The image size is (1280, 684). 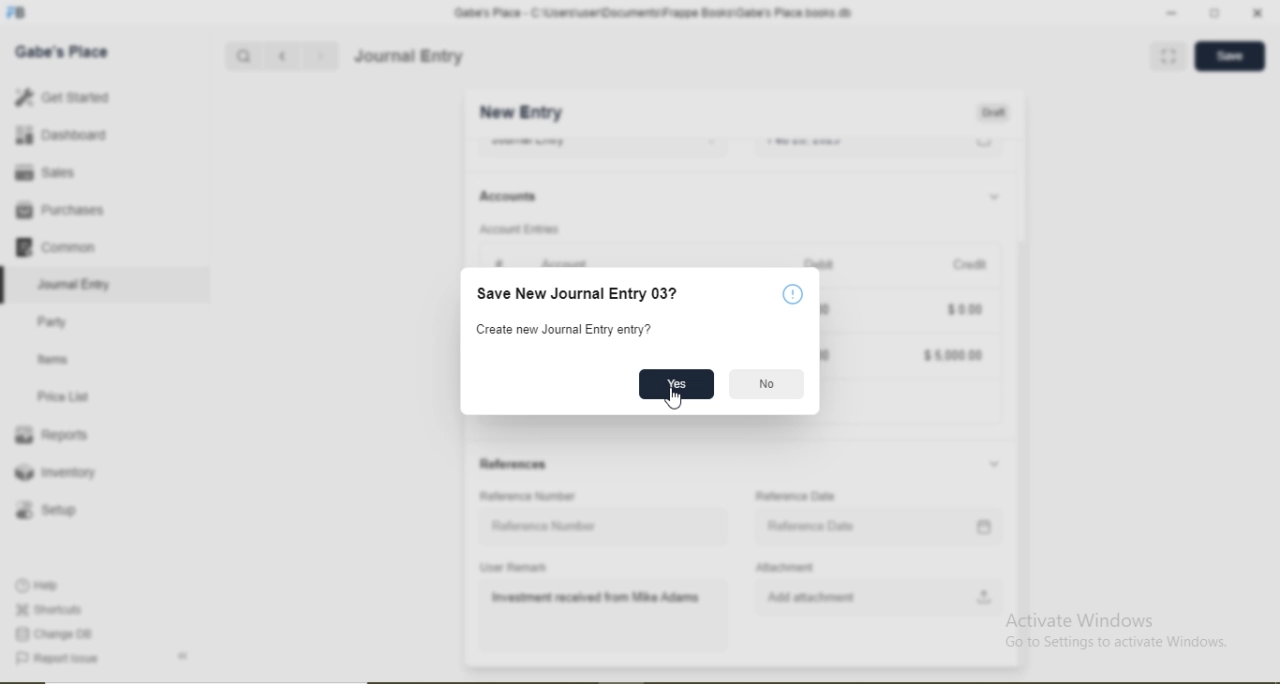 What do you see at coordinates (45, 510) in the screenshot?
I see `Setup` at bounding box center [45, 510].